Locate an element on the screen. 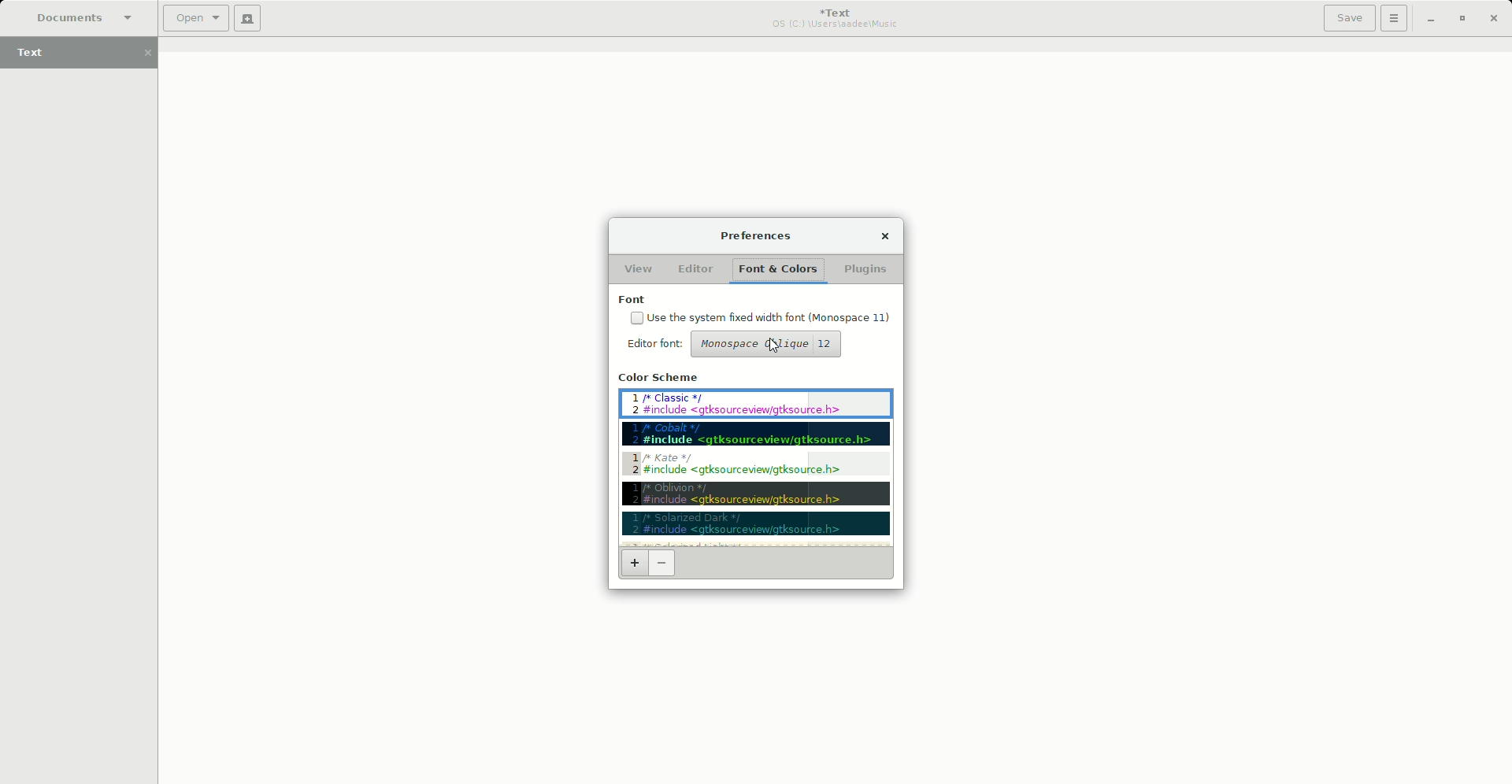 The height and width of the screenshot is (784, 1512). Kate is located at coordinates (755, 465).